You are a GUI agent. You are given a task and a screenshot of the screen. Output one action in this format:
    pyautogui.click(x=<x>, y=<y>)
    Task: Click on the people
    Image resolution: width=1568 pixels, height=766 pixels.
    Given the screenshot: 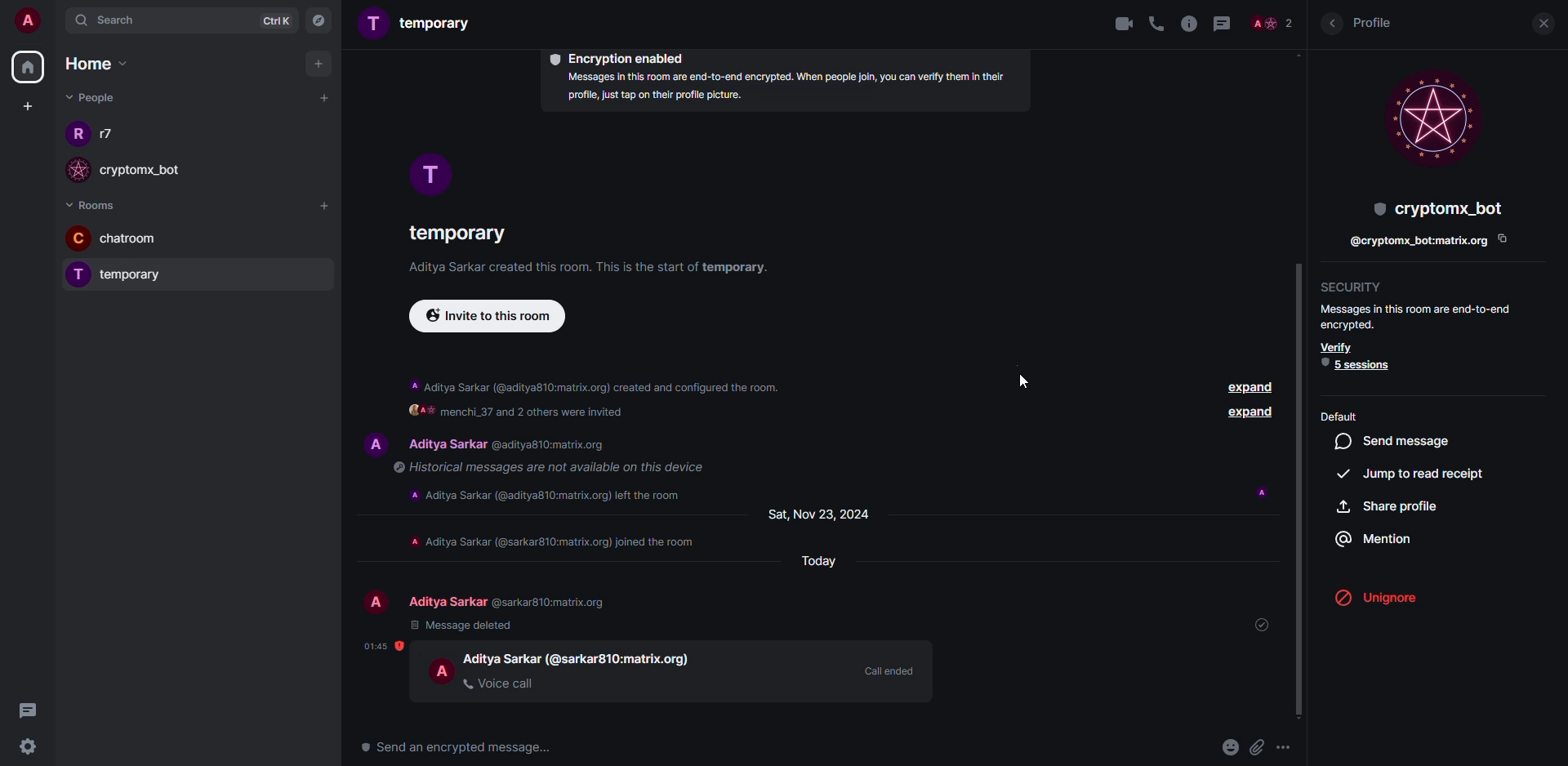 What is the action you would take?
    pyautogui.click(x=90, y=97)
    